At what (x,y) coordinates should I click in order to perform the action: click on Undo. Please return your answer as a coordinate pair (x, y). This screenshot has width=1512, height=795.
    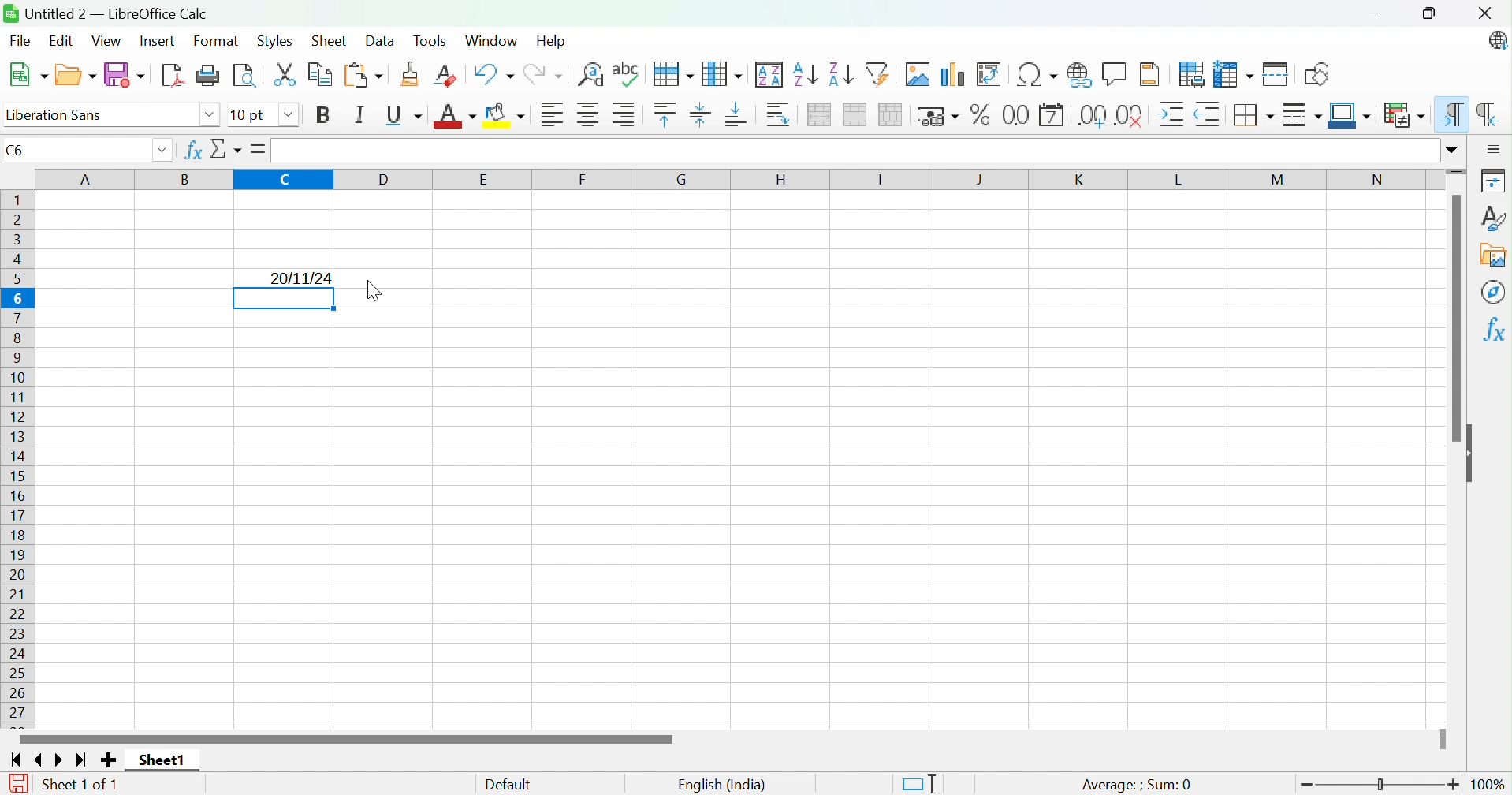
    Looking at the image, I should click on (494, 73).